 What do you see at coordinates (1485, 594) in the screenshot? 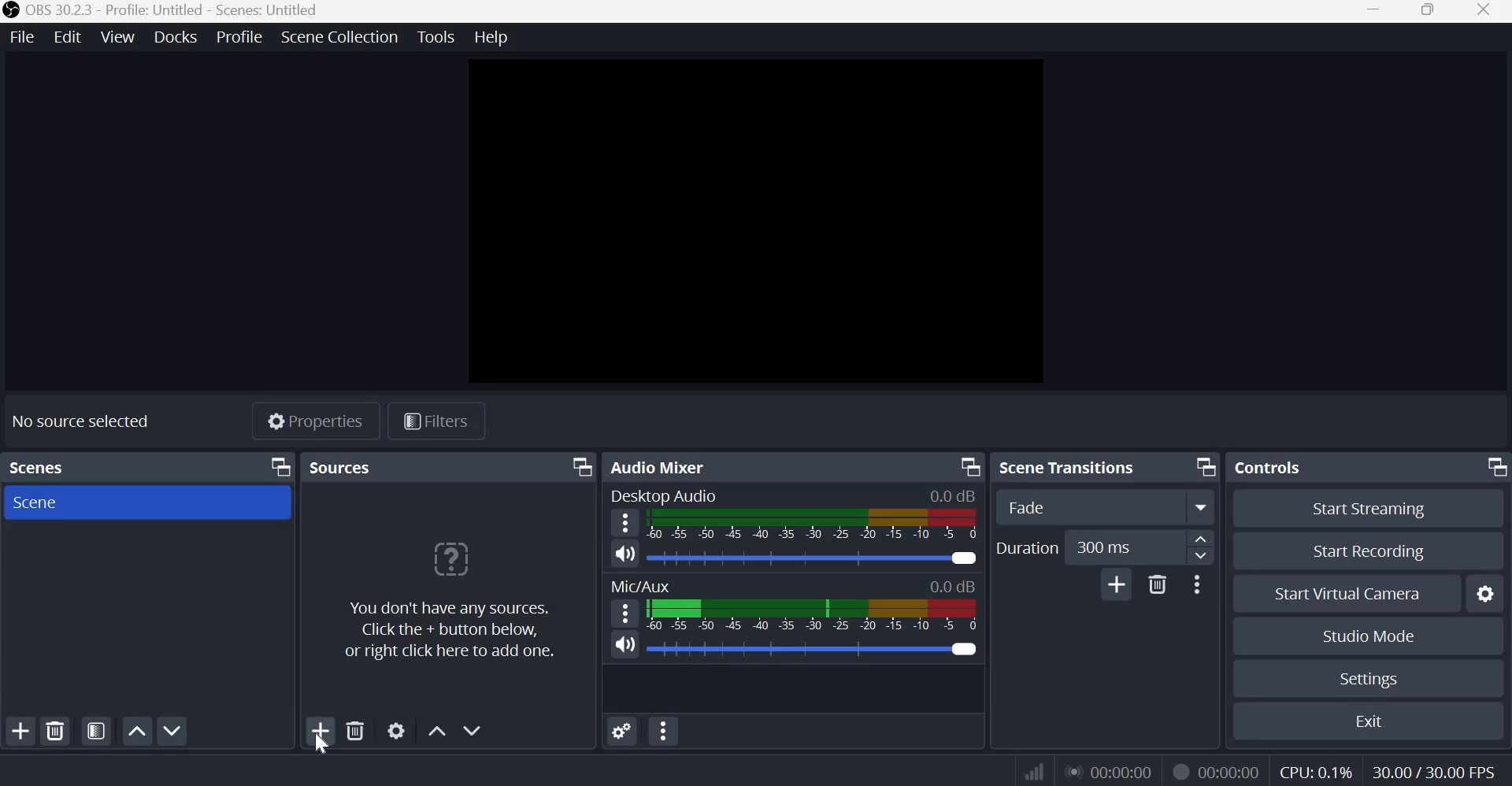
I see `Configure virtual camera` at bounding box center [1485, 594].